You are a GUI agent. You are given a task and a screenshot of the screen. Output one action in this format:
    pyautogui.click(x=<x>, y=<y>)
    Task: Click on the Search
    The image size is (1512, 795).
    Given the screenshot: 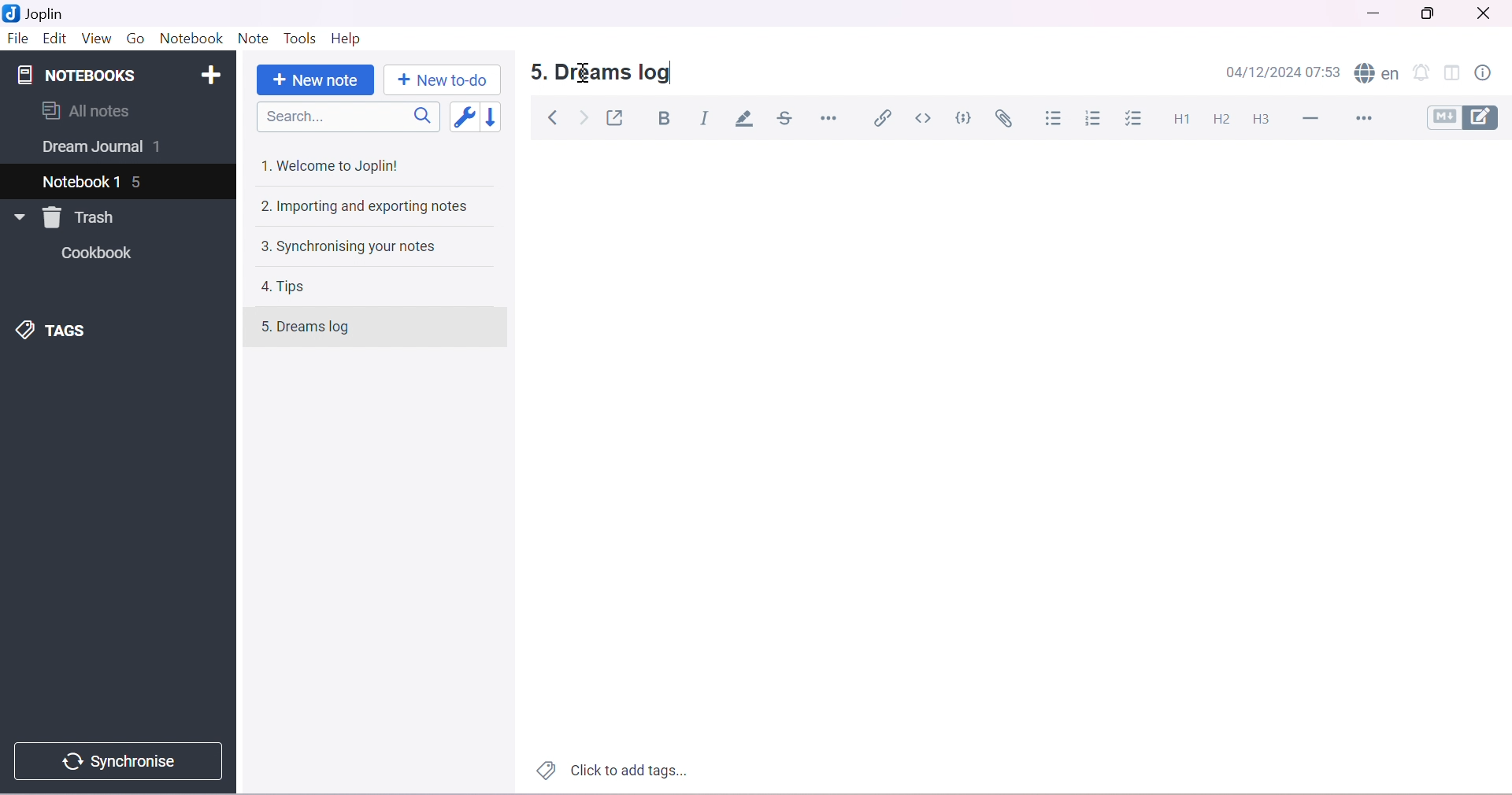 What is the action you would take?
    pyautogui.click(x=353, y=117)
    